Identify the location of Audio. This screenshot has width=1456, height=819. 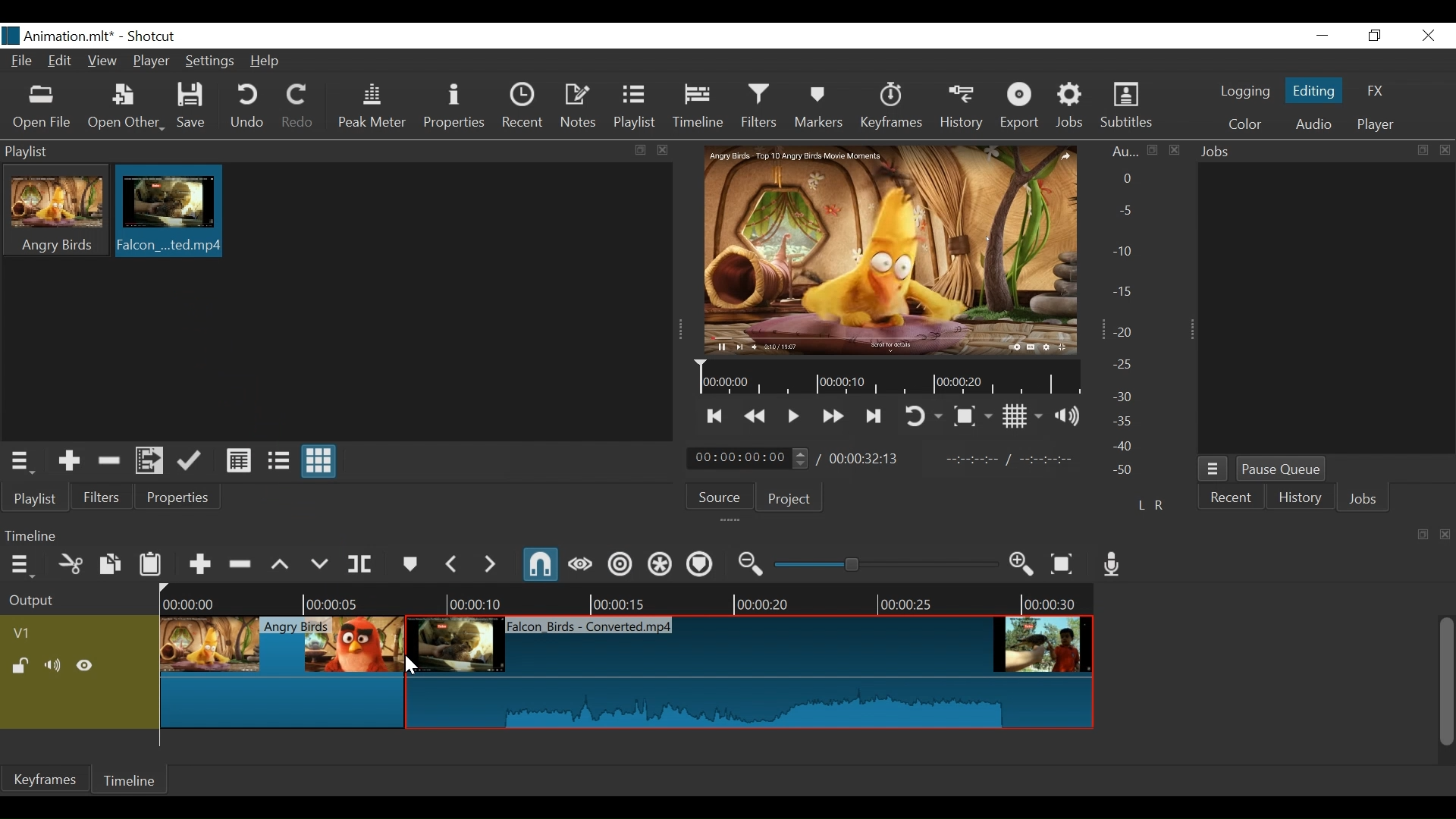
(1312, 124).